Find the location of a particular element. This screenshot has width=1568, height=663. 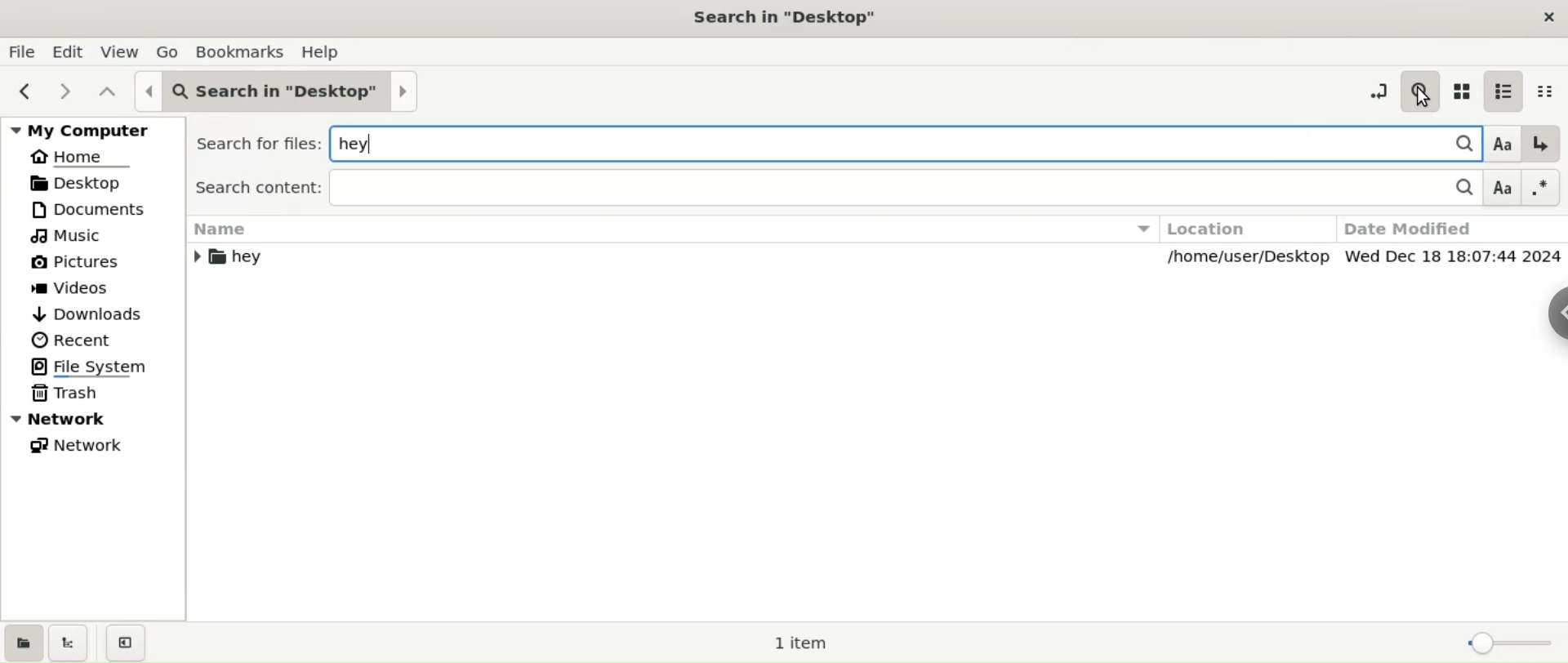

toggle location entry is located at coordinates (1373, 90).